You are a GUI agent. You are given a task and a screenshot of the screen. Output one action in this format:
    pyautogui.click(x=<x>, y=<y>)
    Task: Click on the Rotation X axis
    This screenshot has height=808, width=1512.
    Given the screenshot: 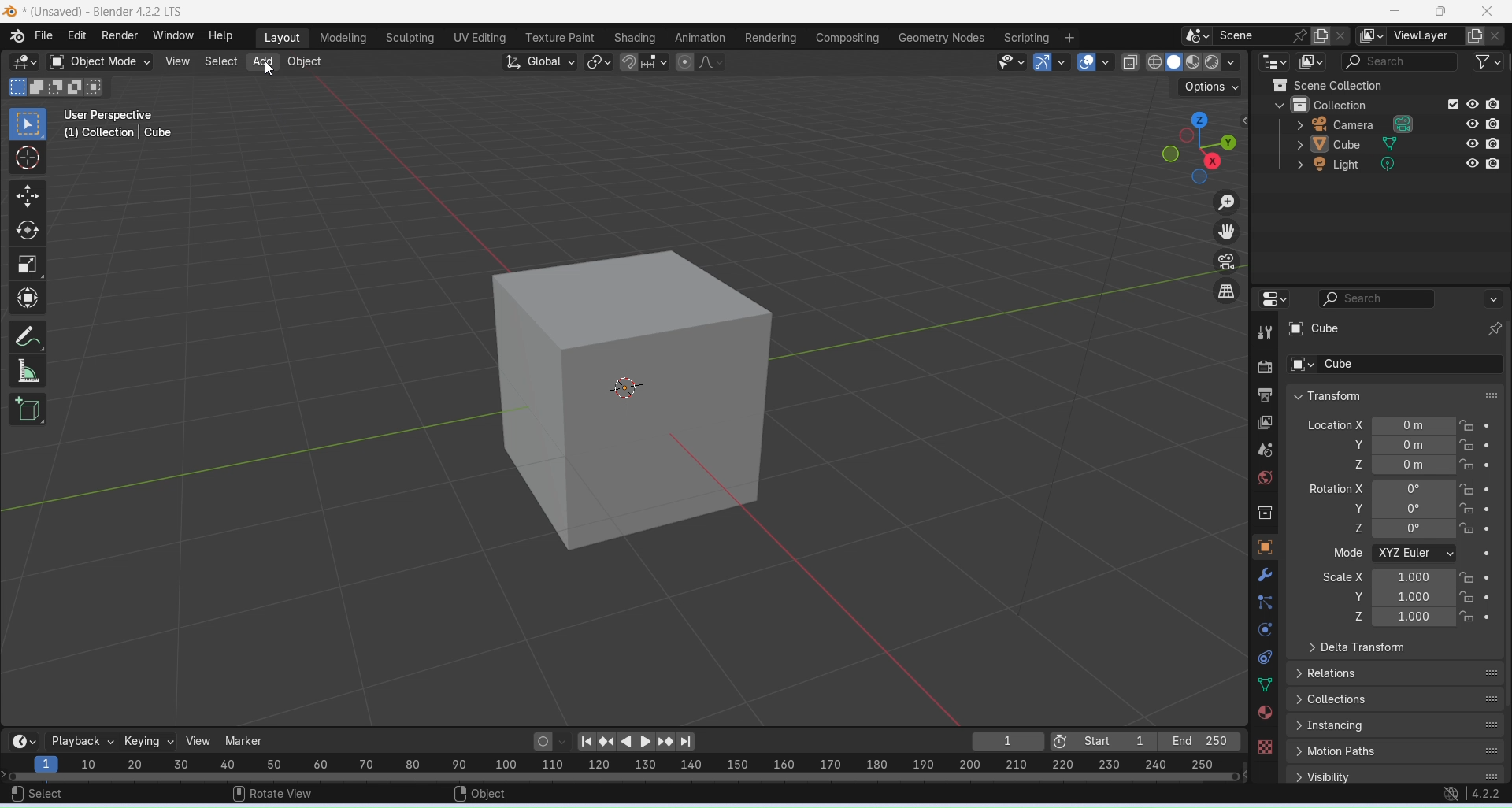 What is the action you would take?
    pyautogui.click(x=1336, y=487)
    